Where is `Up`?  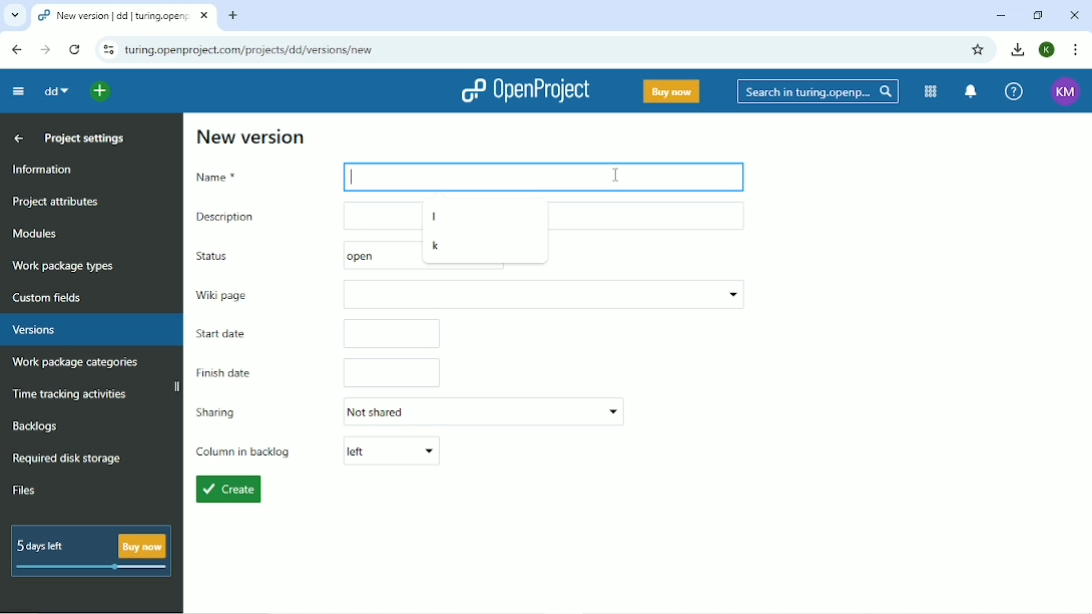
Up is located at coordinates (16, 138).